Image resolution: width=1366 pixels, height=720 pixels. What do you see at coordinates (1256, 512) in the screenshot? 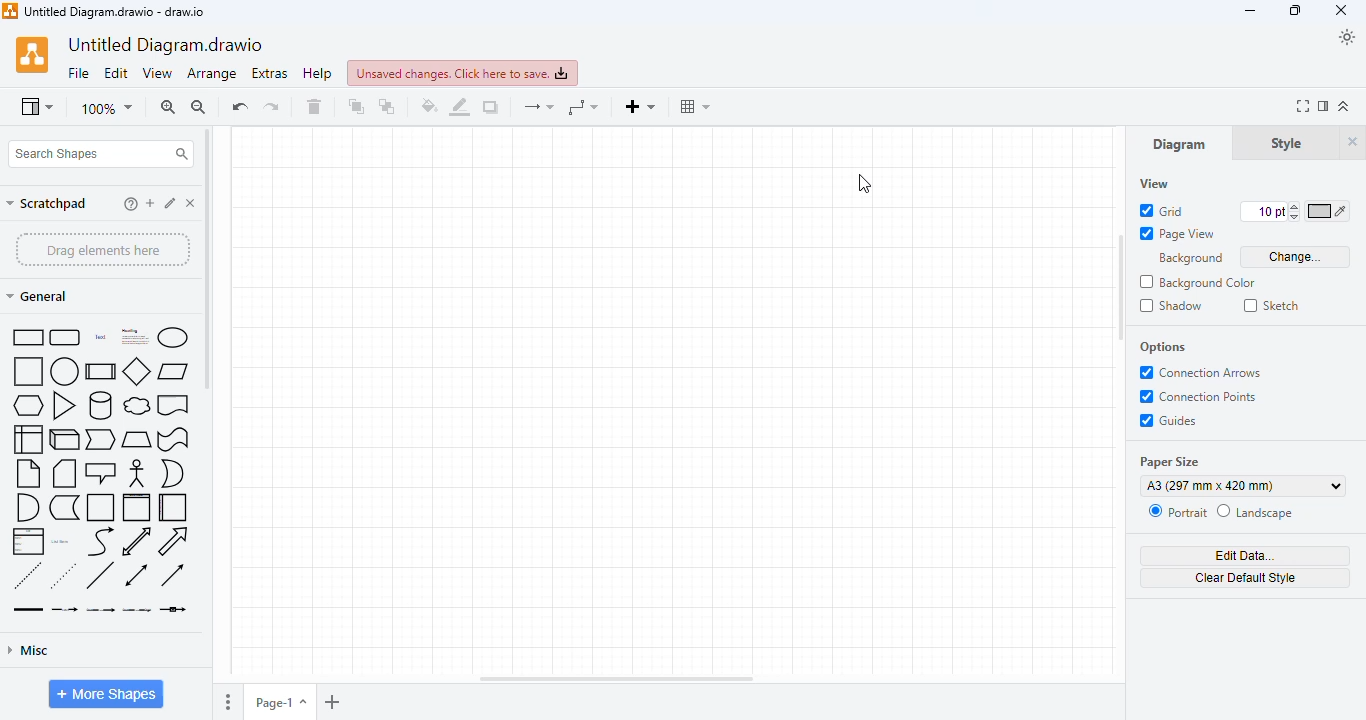
I see `landscape` at bounding box center [1256, 512].